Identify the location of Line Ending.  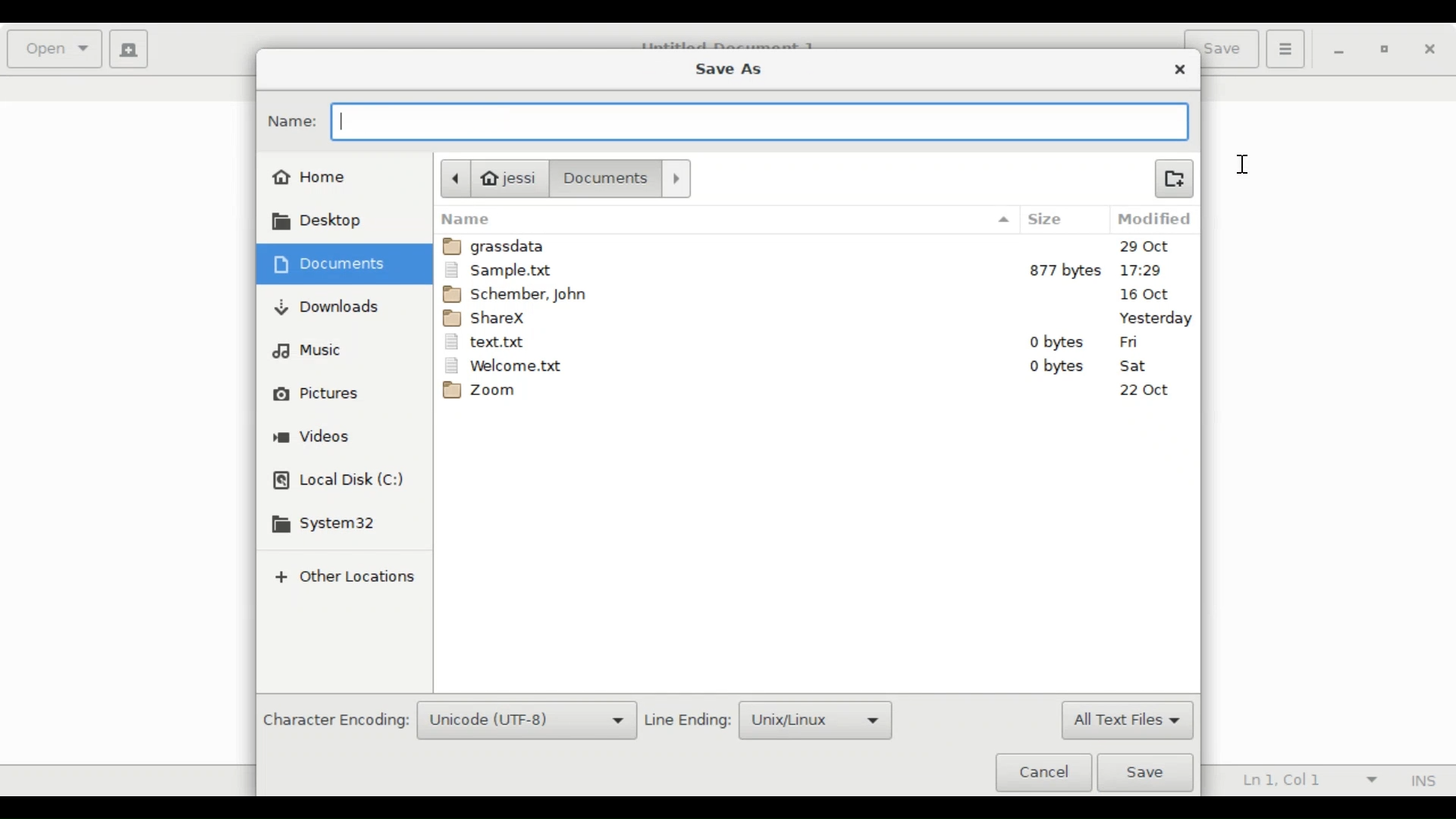
(689, 720).